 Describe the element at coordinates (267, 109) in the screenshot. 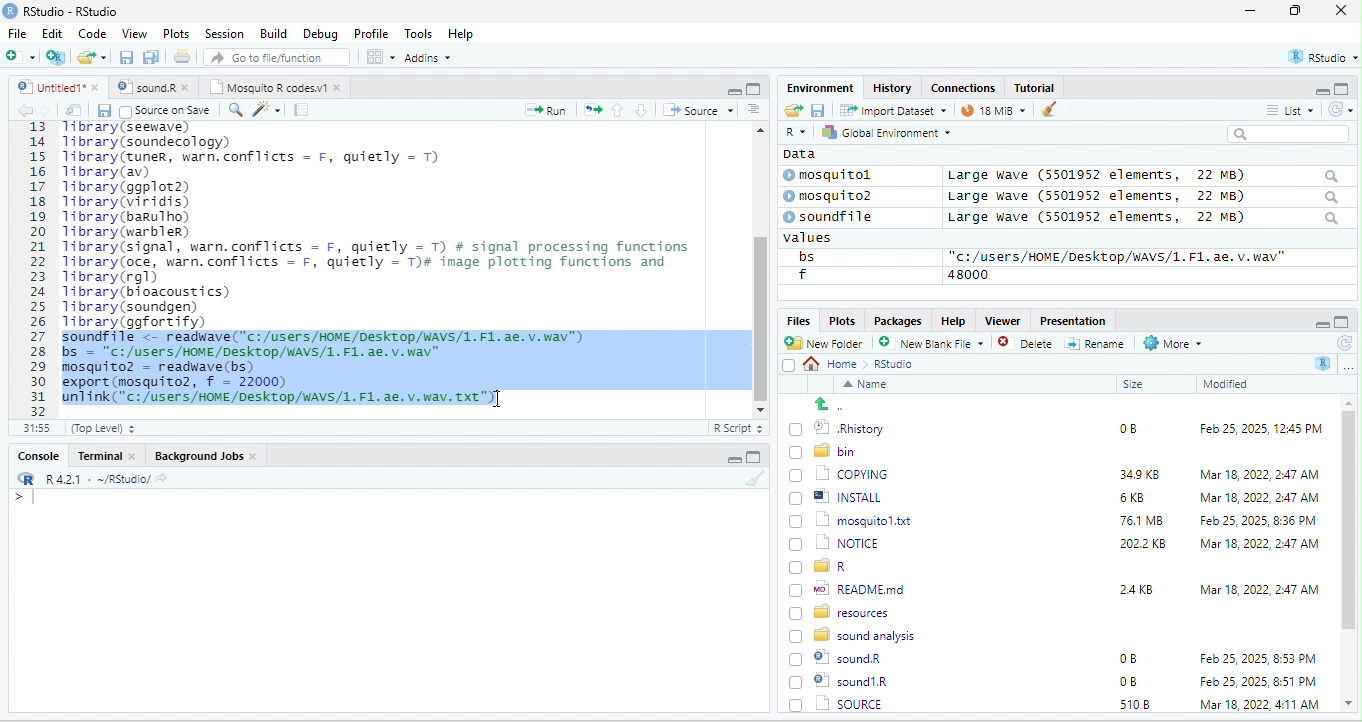

I see `sharpen` at that location.